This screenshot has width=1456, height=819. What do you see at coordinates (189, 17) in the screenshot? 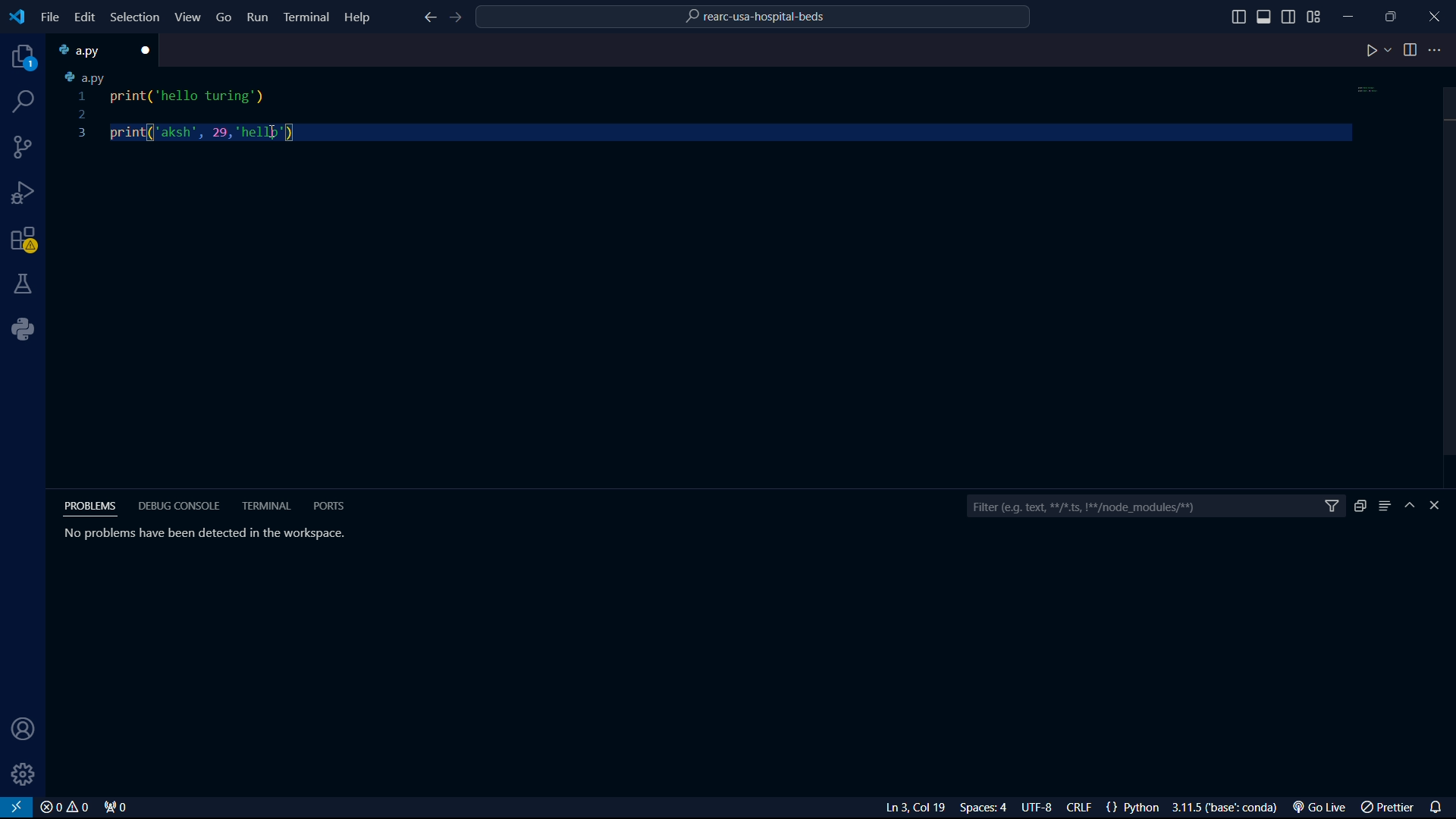
I see `View` at bounding box center [189, 17].